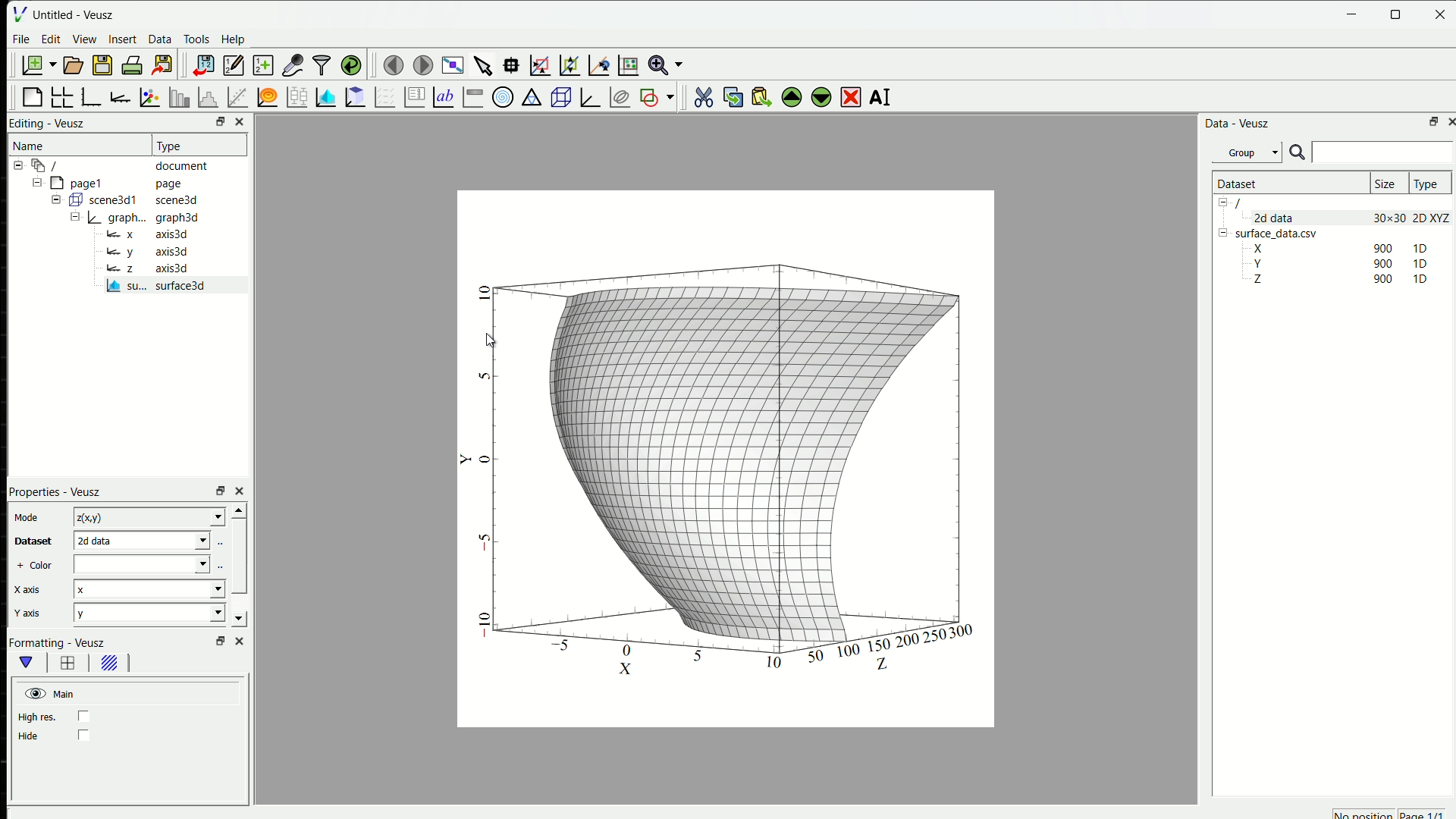 The image size is (1456, 819). I want to click on Insert, so click(125, 39).